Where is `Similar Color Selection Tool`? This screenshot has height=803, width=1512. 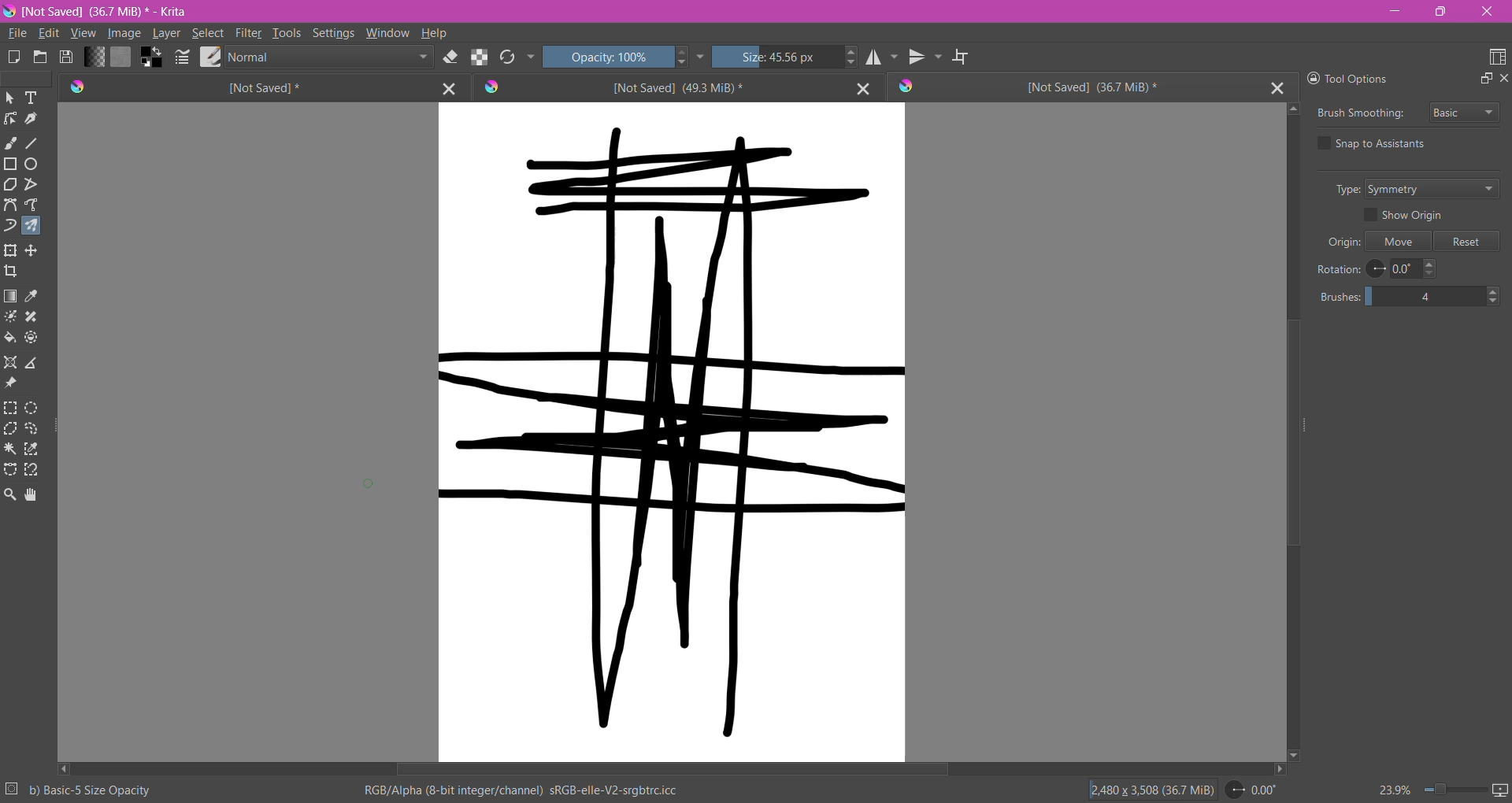
Similar Color Selection Tool is located at coordinates (31, 449).